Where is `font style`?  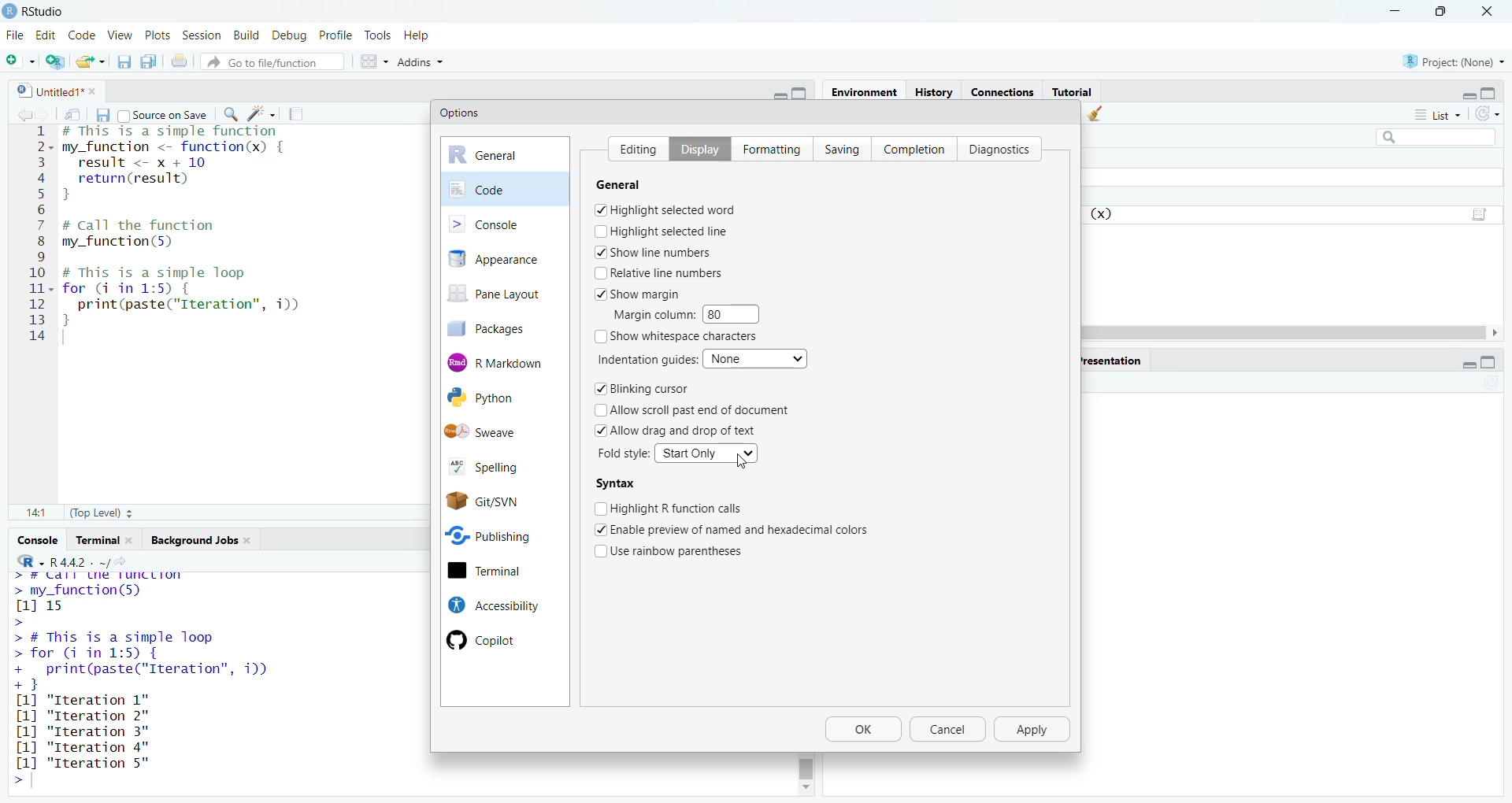 font style is located at coordinates (625, 453).